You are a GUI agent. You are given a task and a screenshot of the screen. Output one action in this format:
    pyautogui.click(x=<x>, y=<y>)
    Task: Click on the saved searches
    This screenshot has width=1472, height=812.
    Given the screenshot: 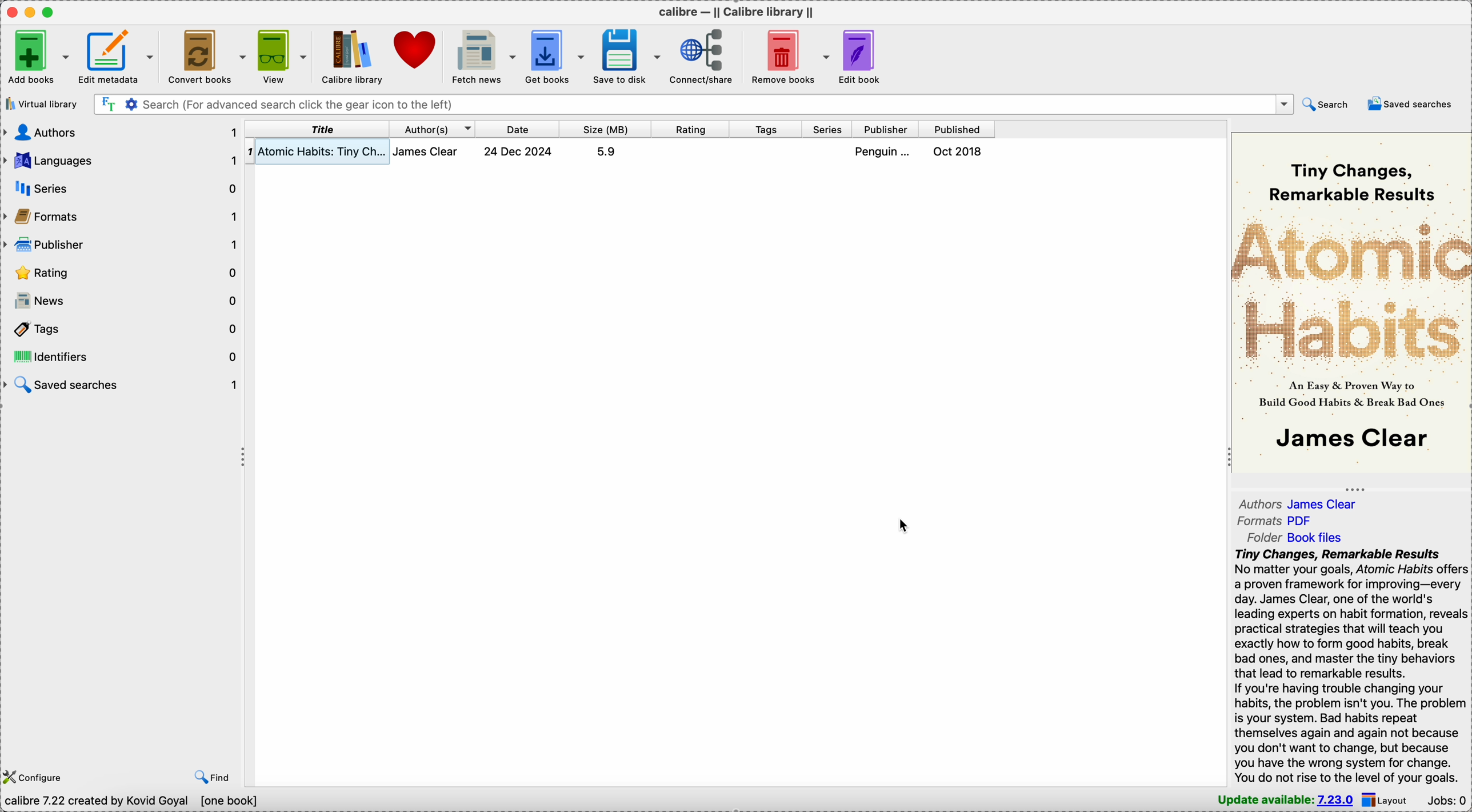 What is the action you would take?
    pyautogui.click(x=1411, y=105)
    